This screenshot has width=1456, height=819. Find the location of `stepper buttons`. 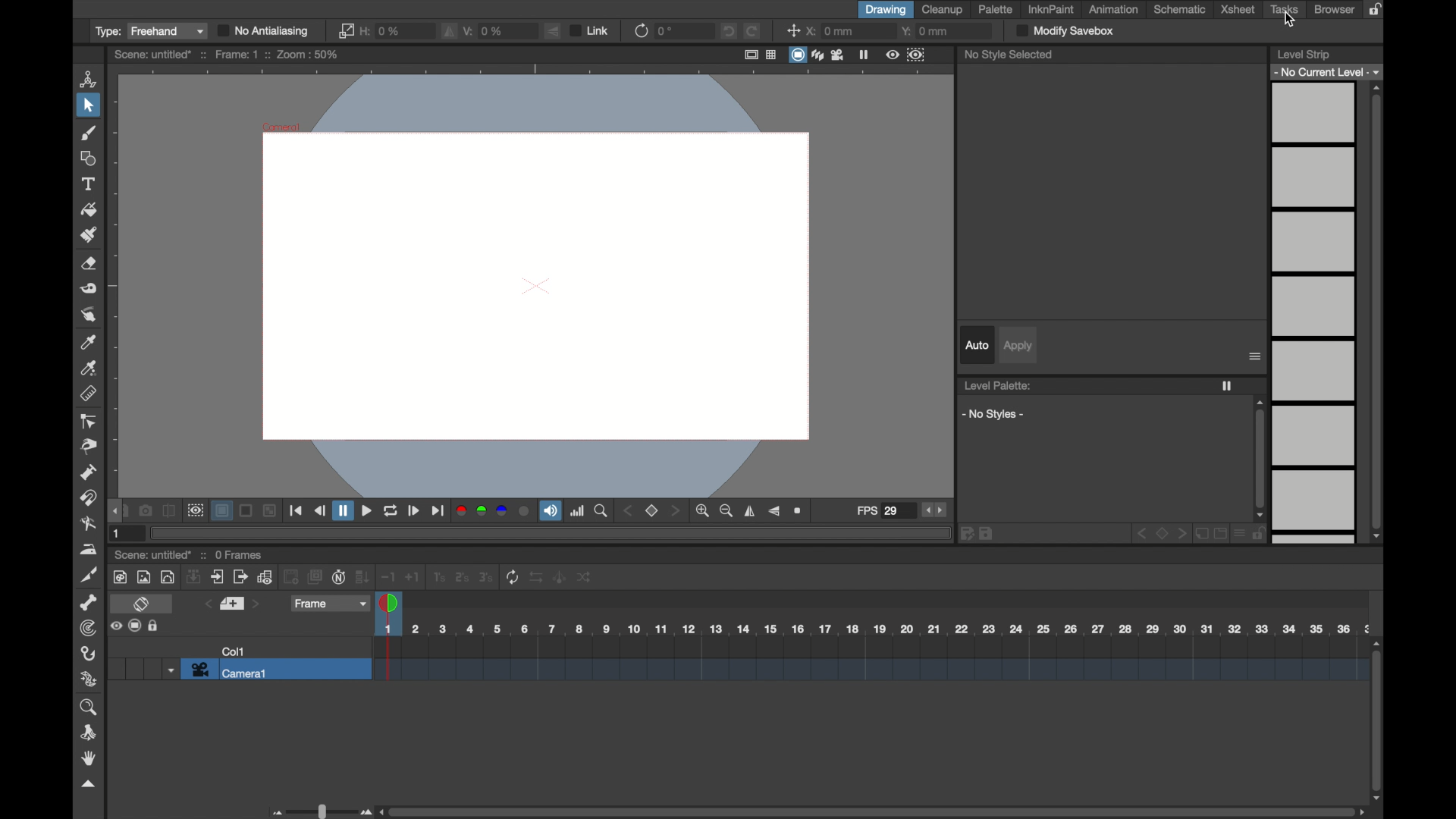

stepper buttons is located at coordinates (936, 511).